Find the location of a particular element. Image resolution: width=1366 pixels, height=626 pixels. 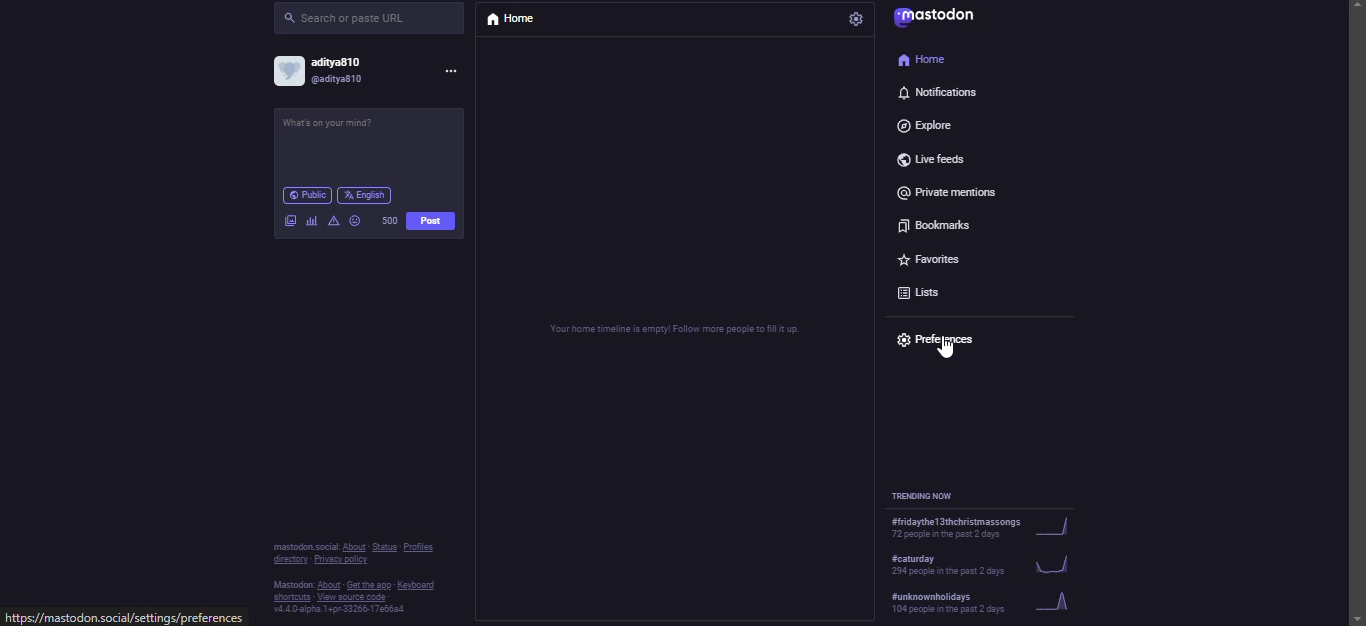

notifications is located at coordinates (939, 92).